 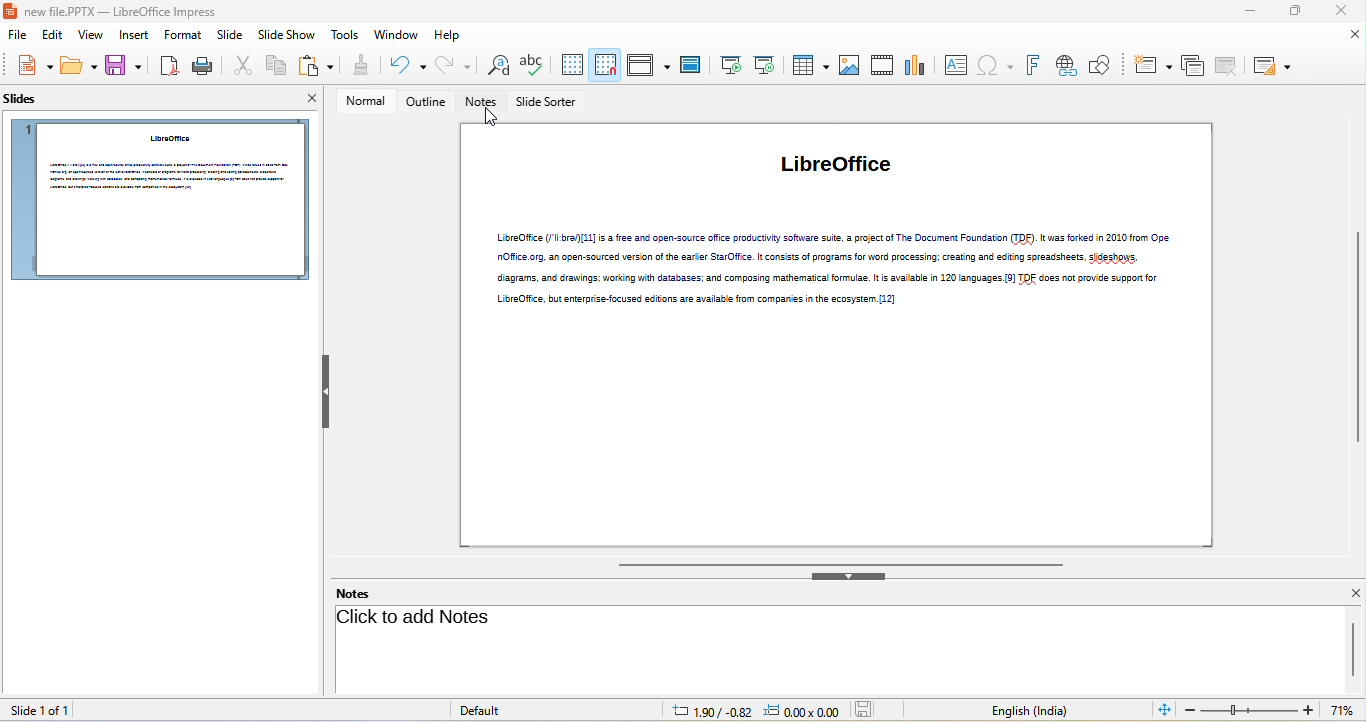 What do you see at coordinates (955, 65) in the screenshot?
I see `text box` at bounding box center [955, 65].